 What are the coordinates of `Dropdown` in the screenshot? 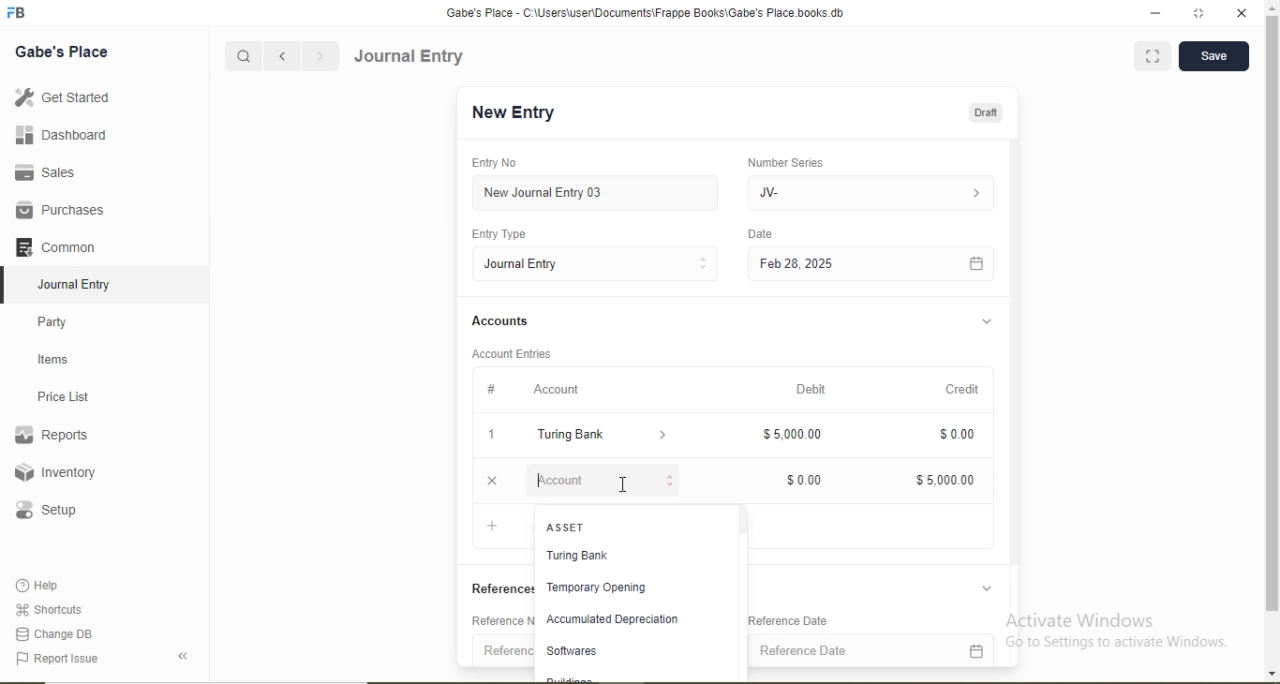 It's located at (663, 436).